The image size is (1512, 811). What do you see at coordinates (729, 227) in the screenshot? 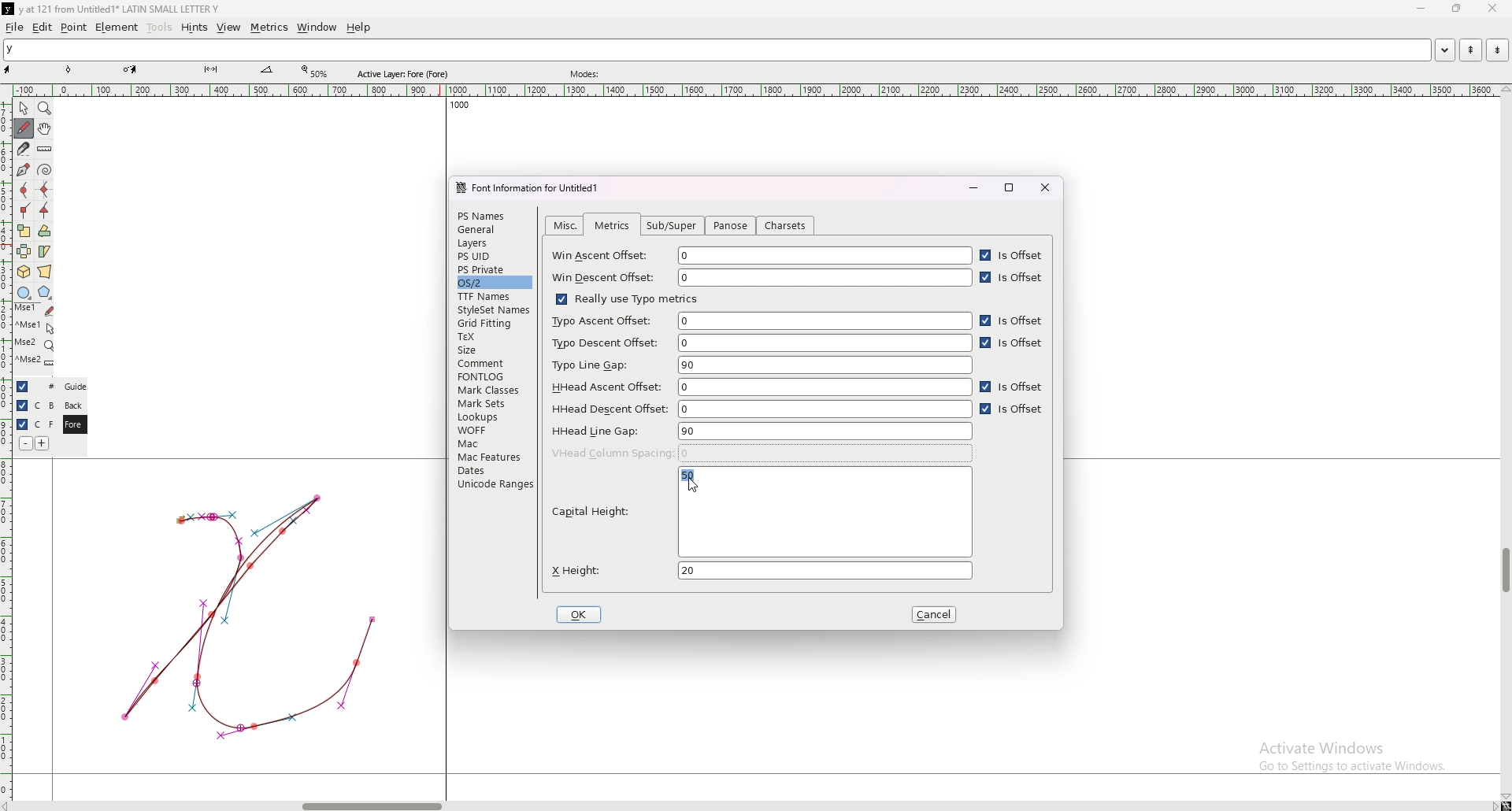
I see `panose` at bounding box center [729, 227].